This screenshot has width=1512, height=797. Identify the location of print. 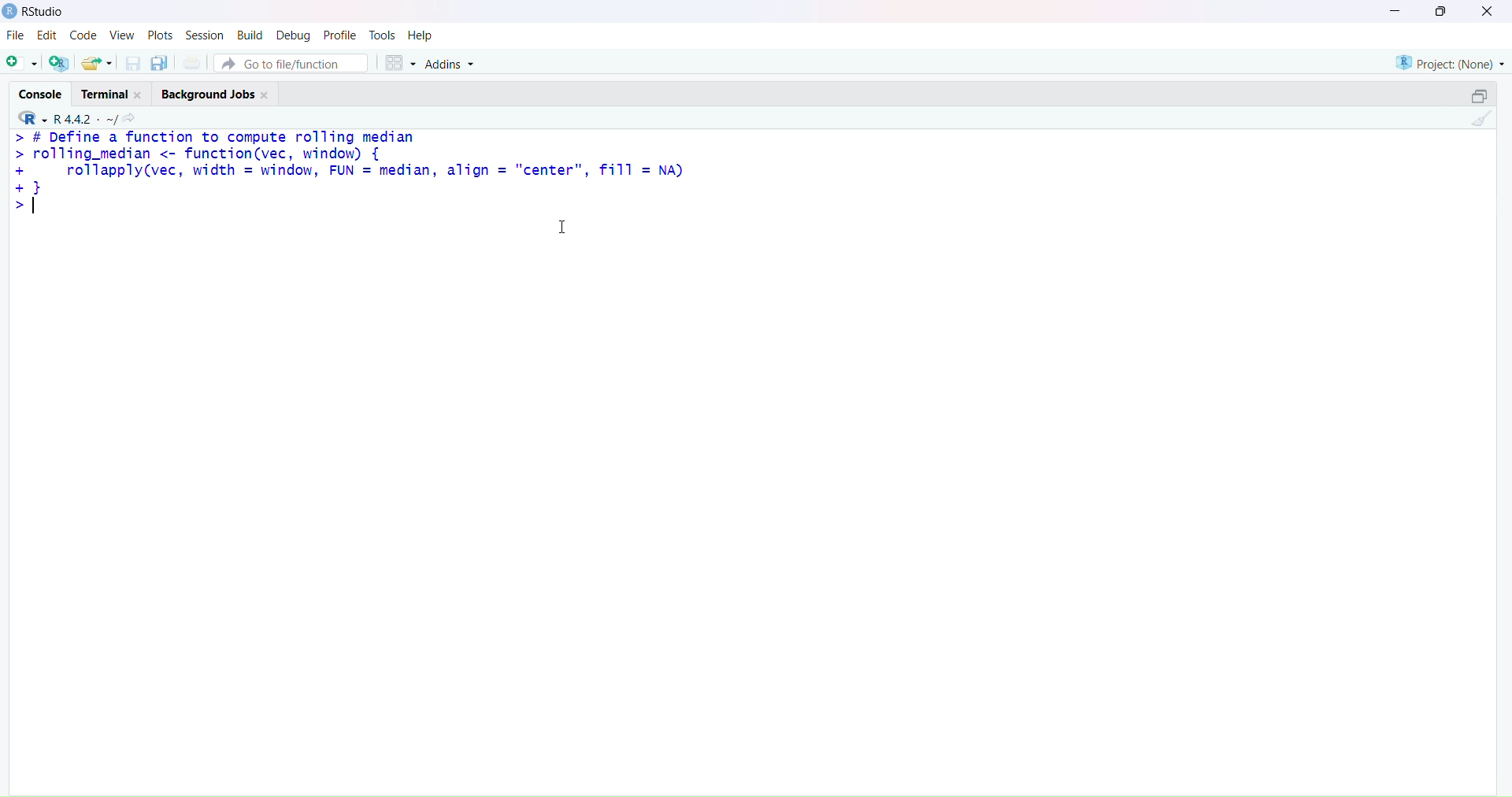
(192, 62).